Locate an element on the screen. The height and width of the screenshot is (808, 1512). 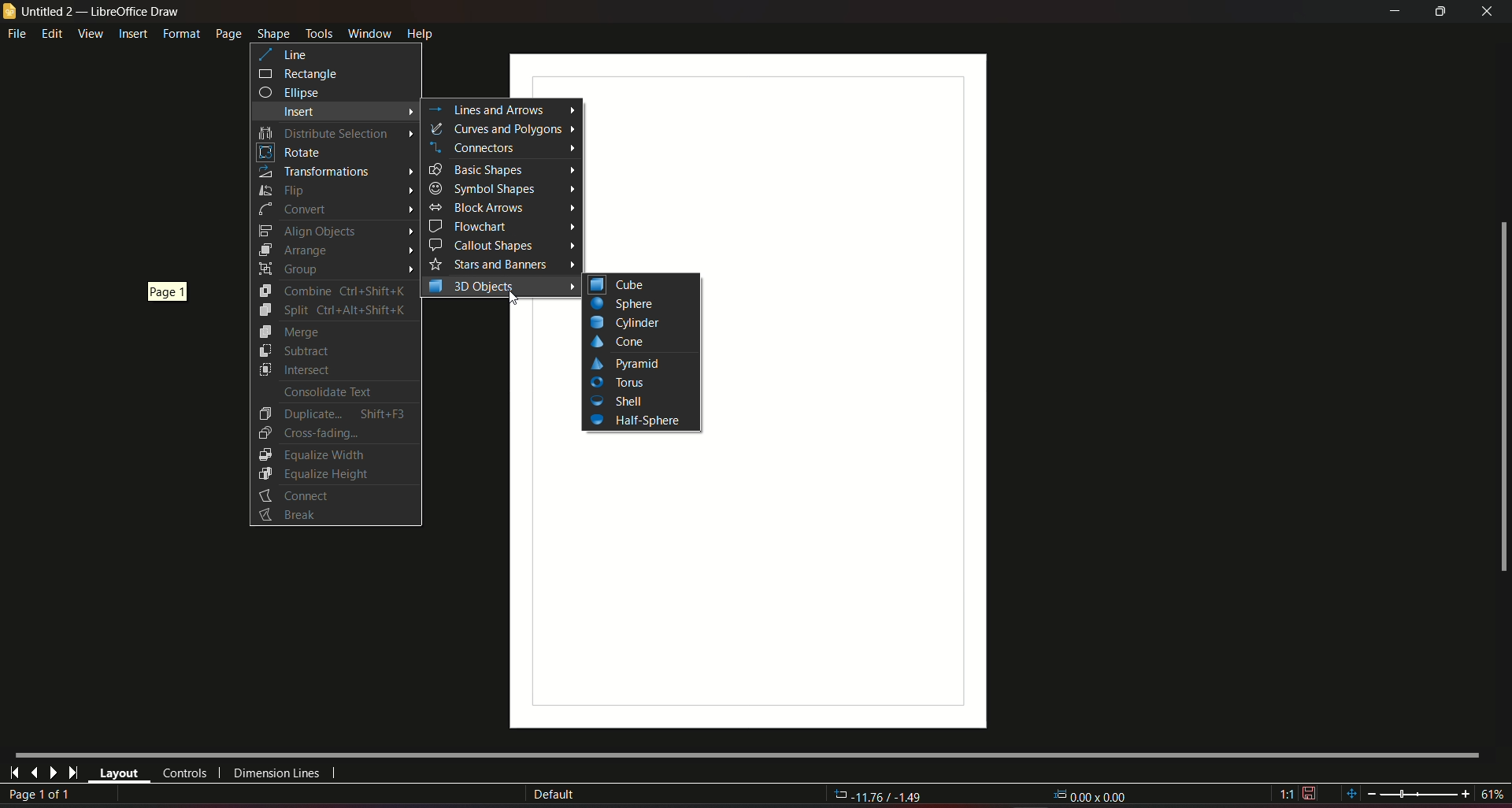
Cross-Fading is located at coordinates (311, 433).